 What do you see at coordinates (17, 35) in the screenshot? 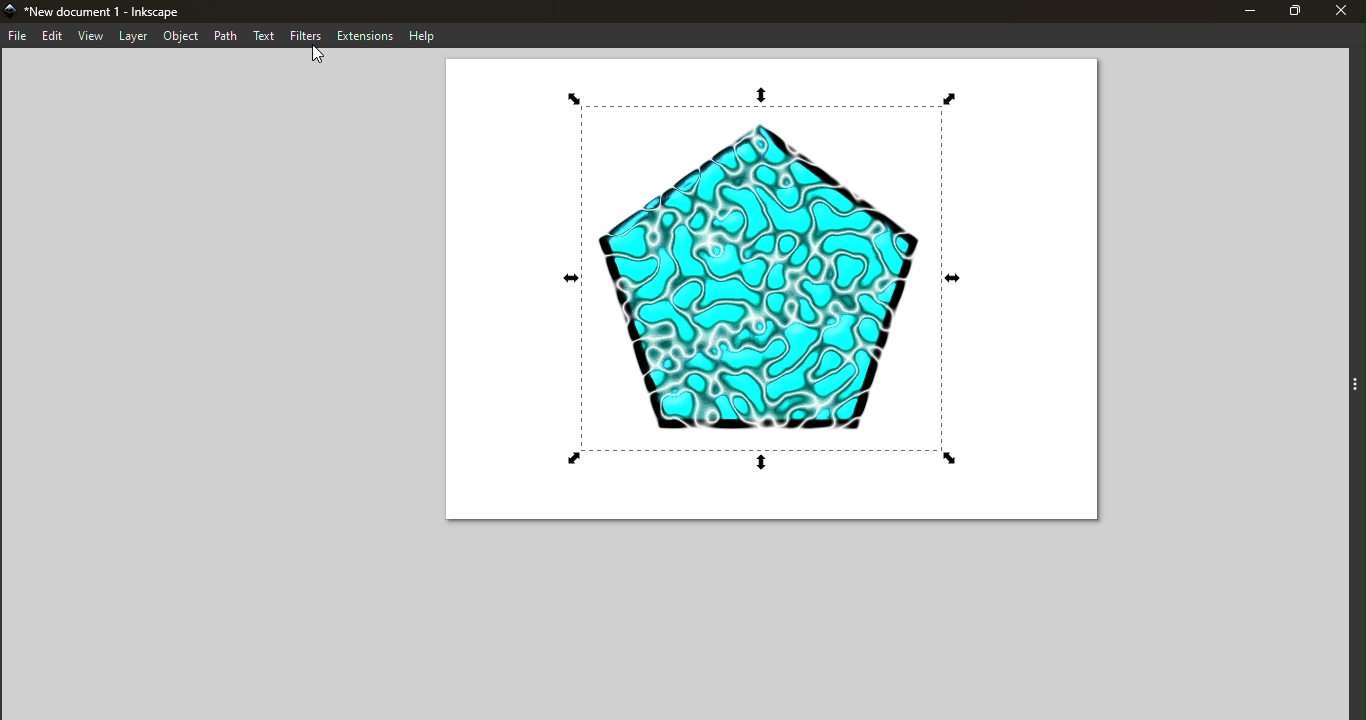
I see `File` at bounding box center [17, 35].